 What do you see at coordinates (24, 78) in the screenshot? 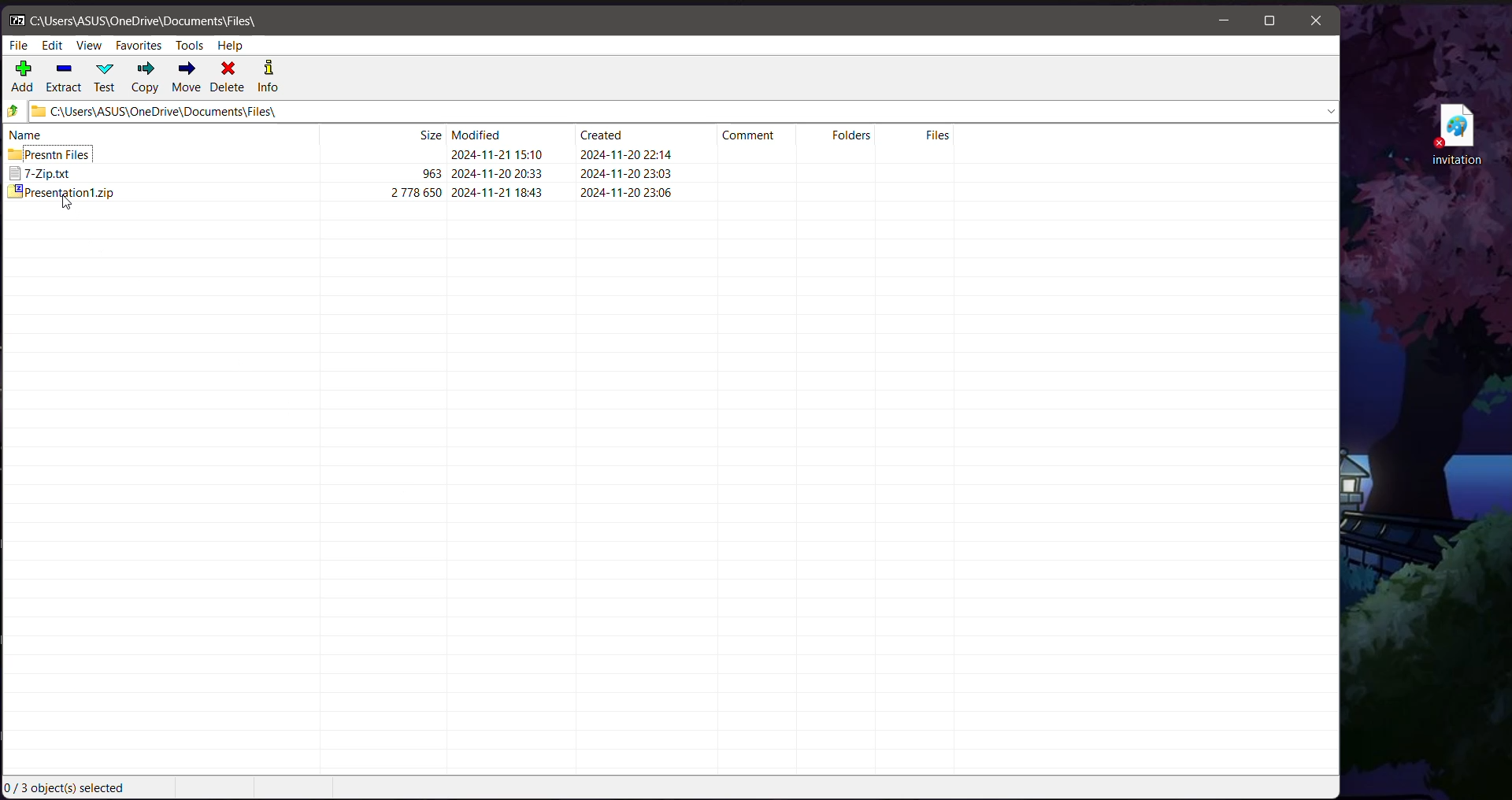
I see `Add` at bounding box center [24, 78].